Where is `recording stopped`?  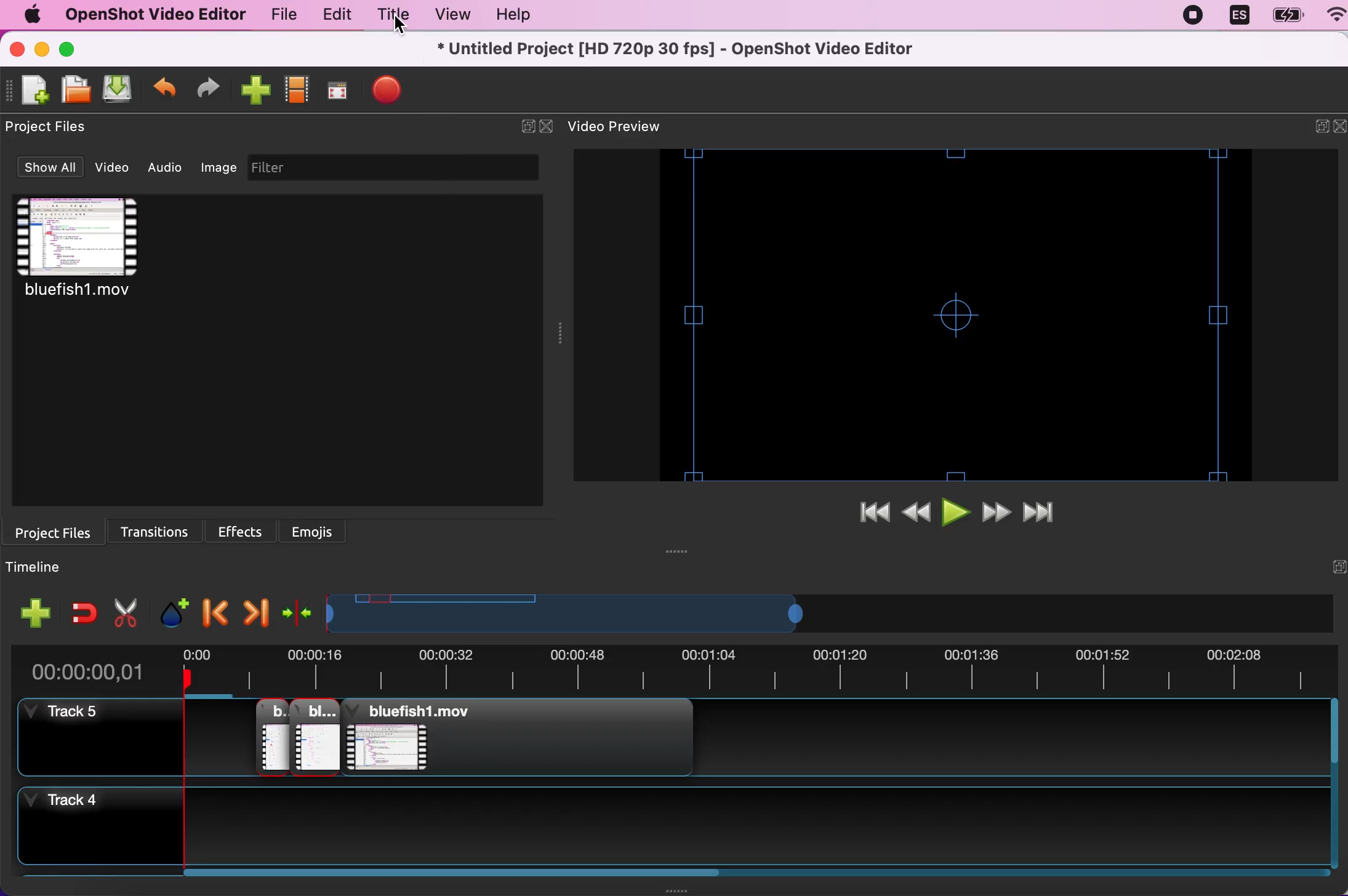 recording stopped is located at coordinates (1195, 15).